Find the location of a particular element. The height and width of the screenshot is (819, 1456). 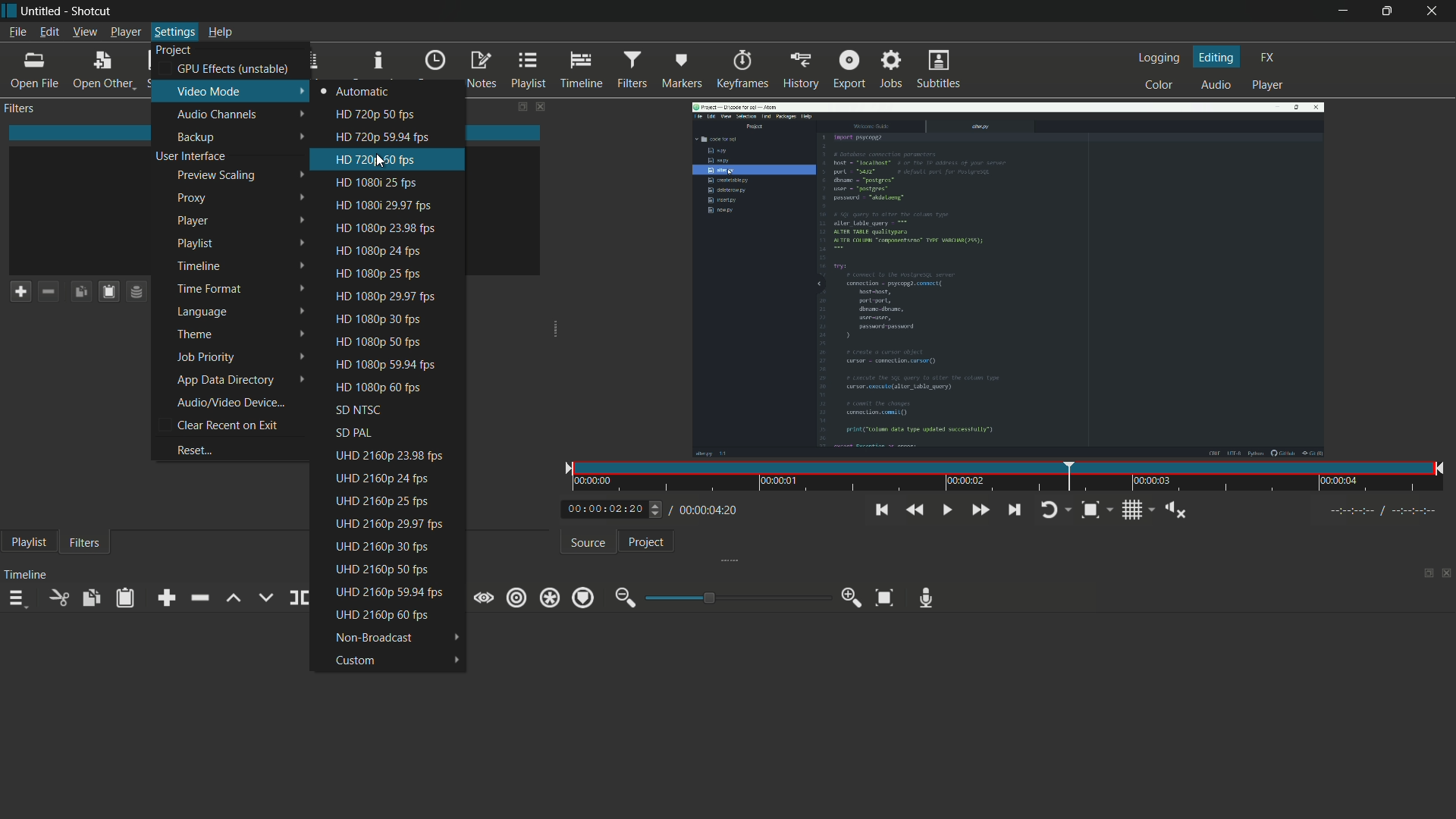

user interface is located at coordinates (234, 157).